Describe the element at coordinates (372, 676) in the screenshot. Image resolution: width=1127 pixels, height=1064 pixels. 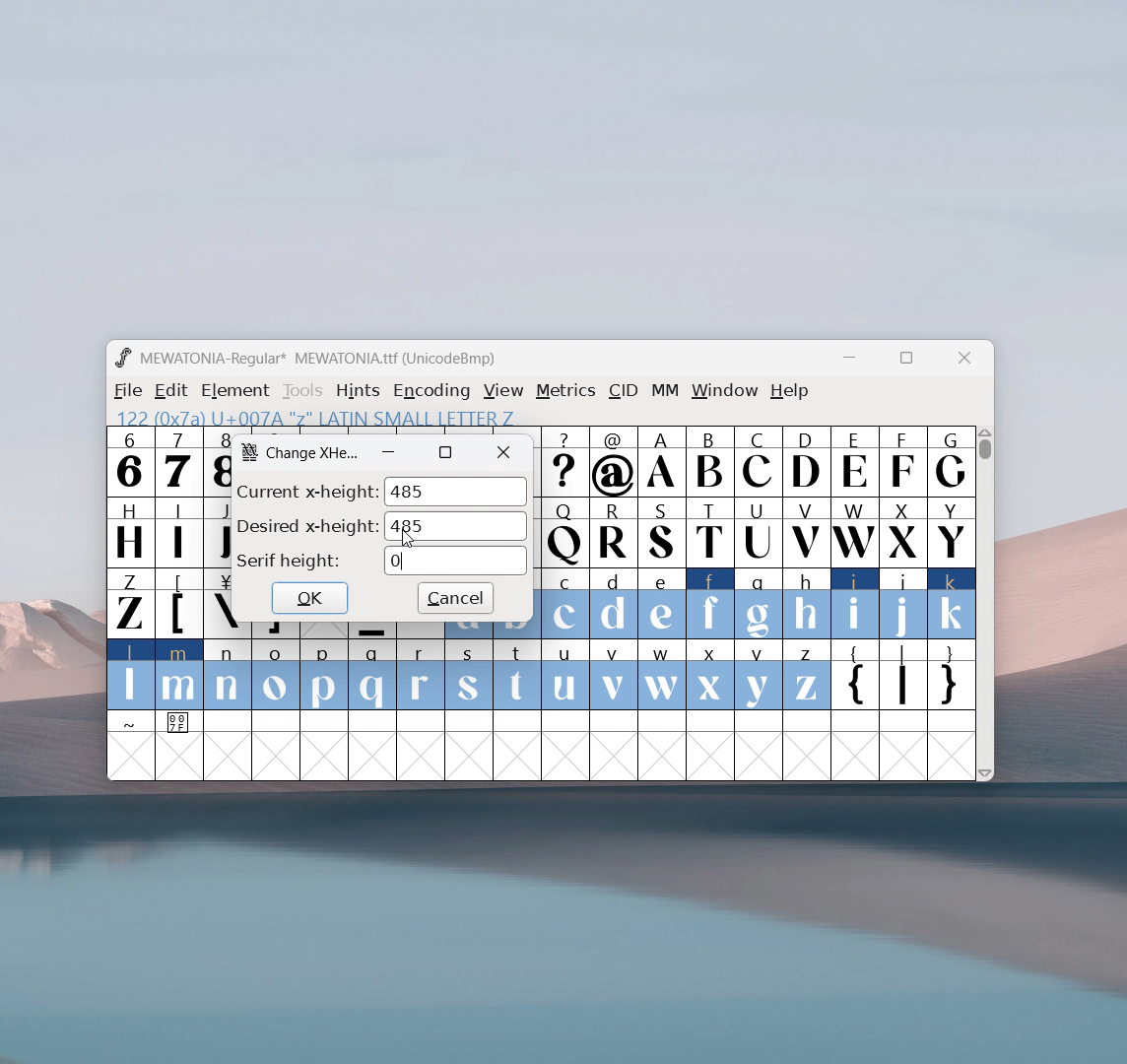
I see `q` at that location.